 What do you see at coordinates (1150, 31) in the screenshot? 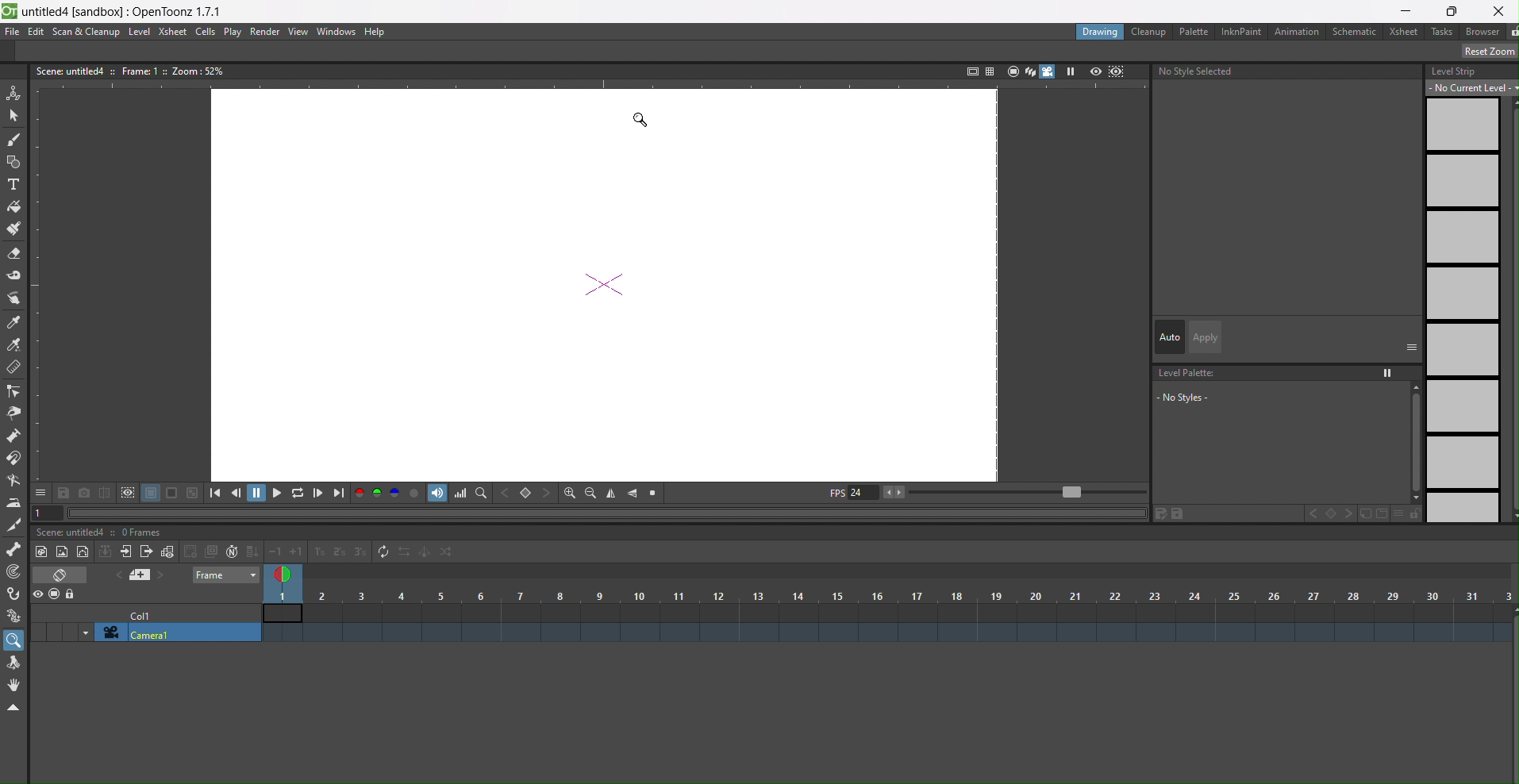
I see `cleanup` at bounding box center [1150, 31].